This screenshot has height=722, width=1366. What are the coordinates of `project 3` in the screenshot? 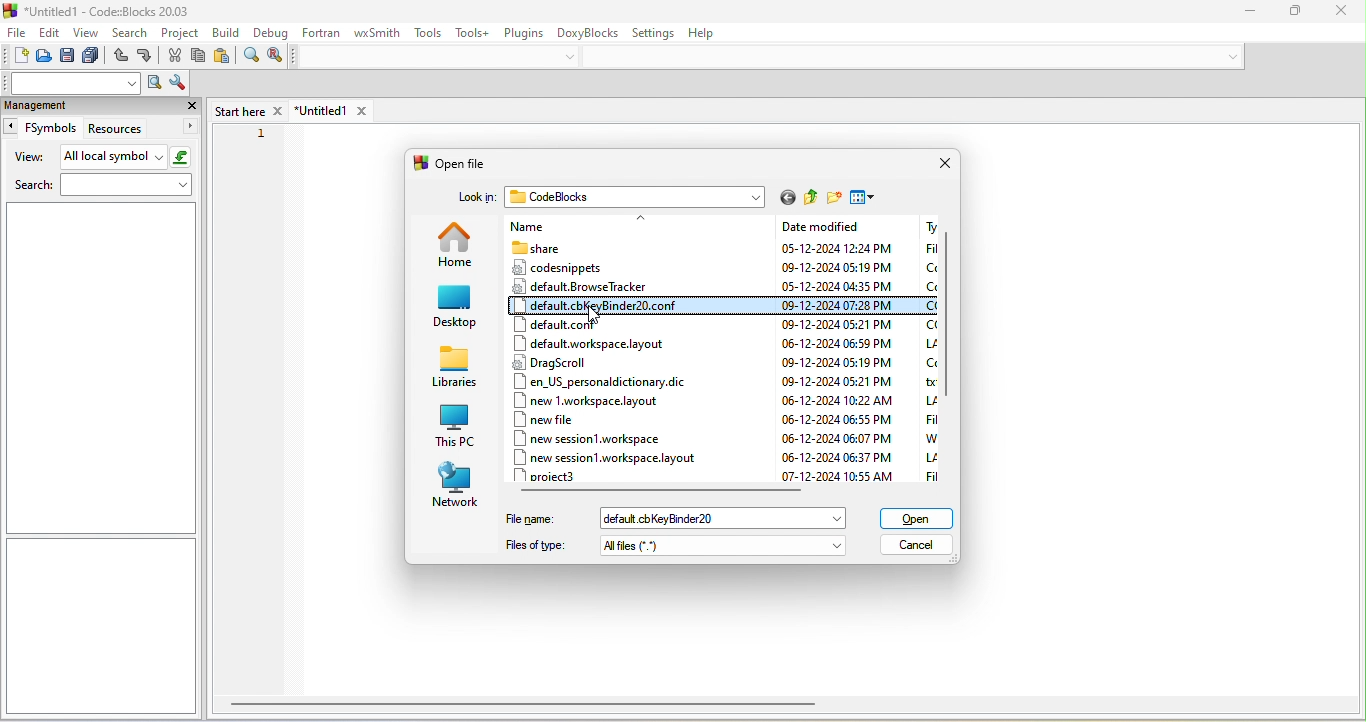 It's located at (561, 477).